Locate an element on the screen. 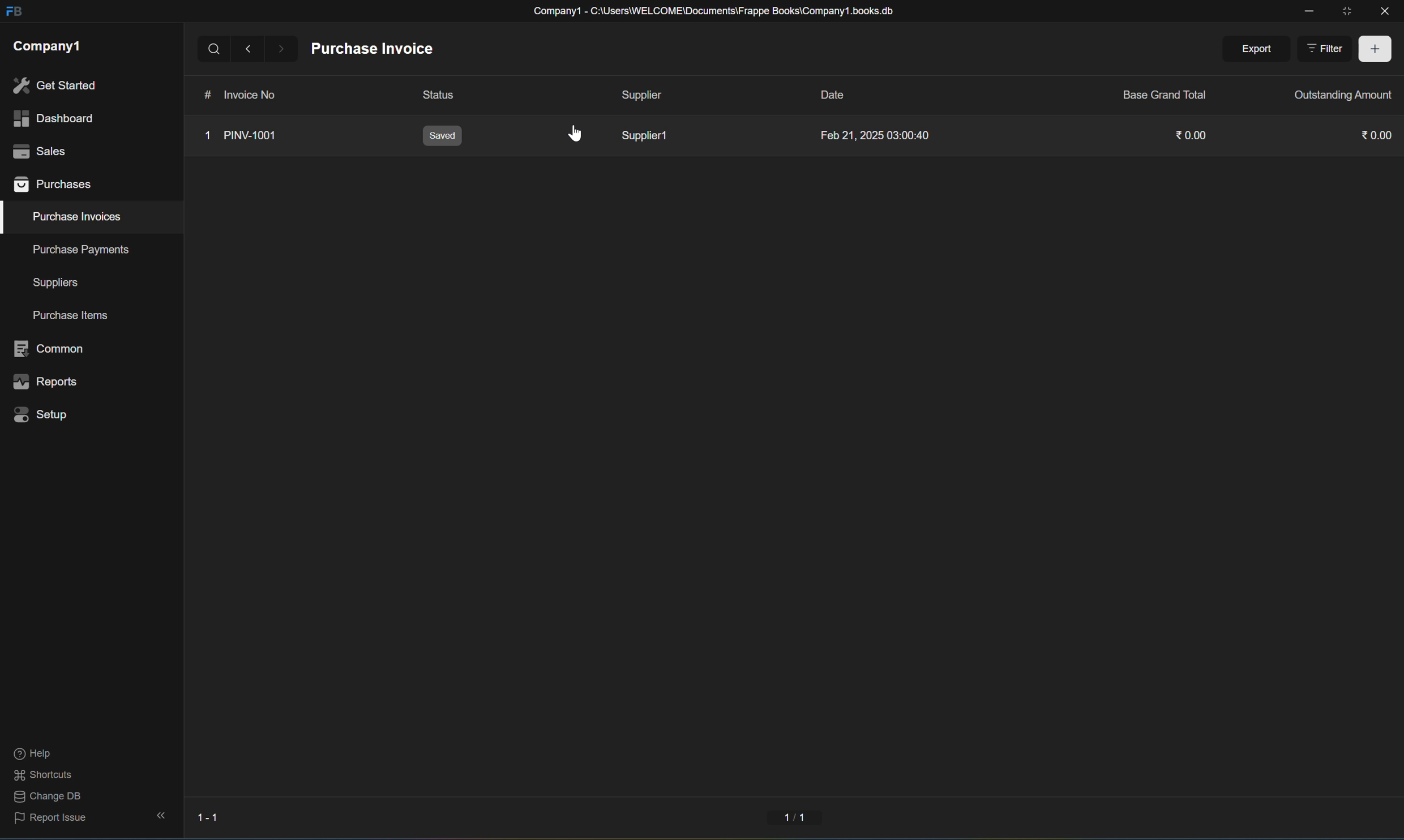 This screenshot has height=840, width=1404. purchase items is located at coordinates (73, 316).